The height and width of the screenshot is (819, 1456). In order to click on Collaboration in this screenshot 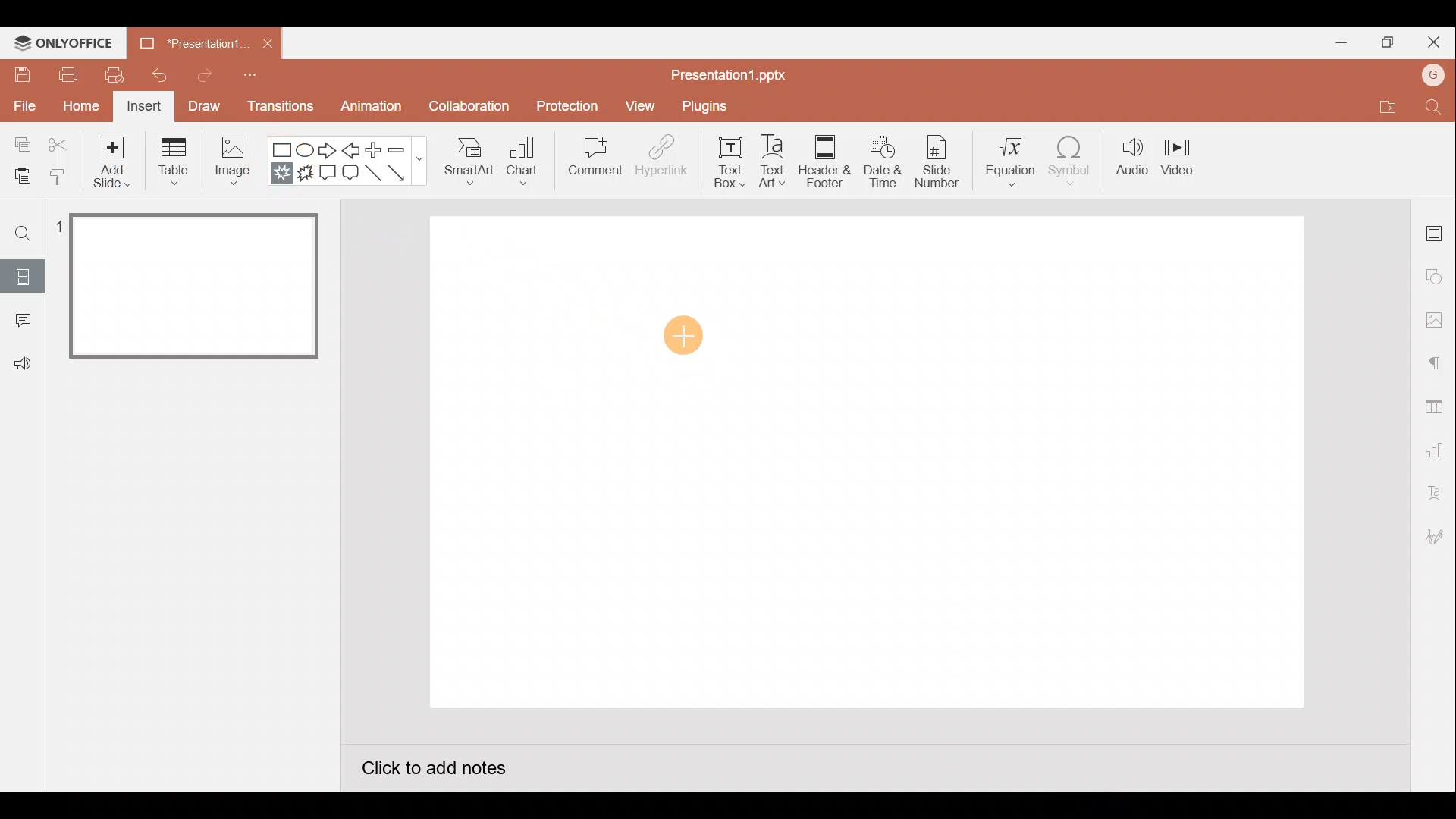, I will do `click(466, 106)`.